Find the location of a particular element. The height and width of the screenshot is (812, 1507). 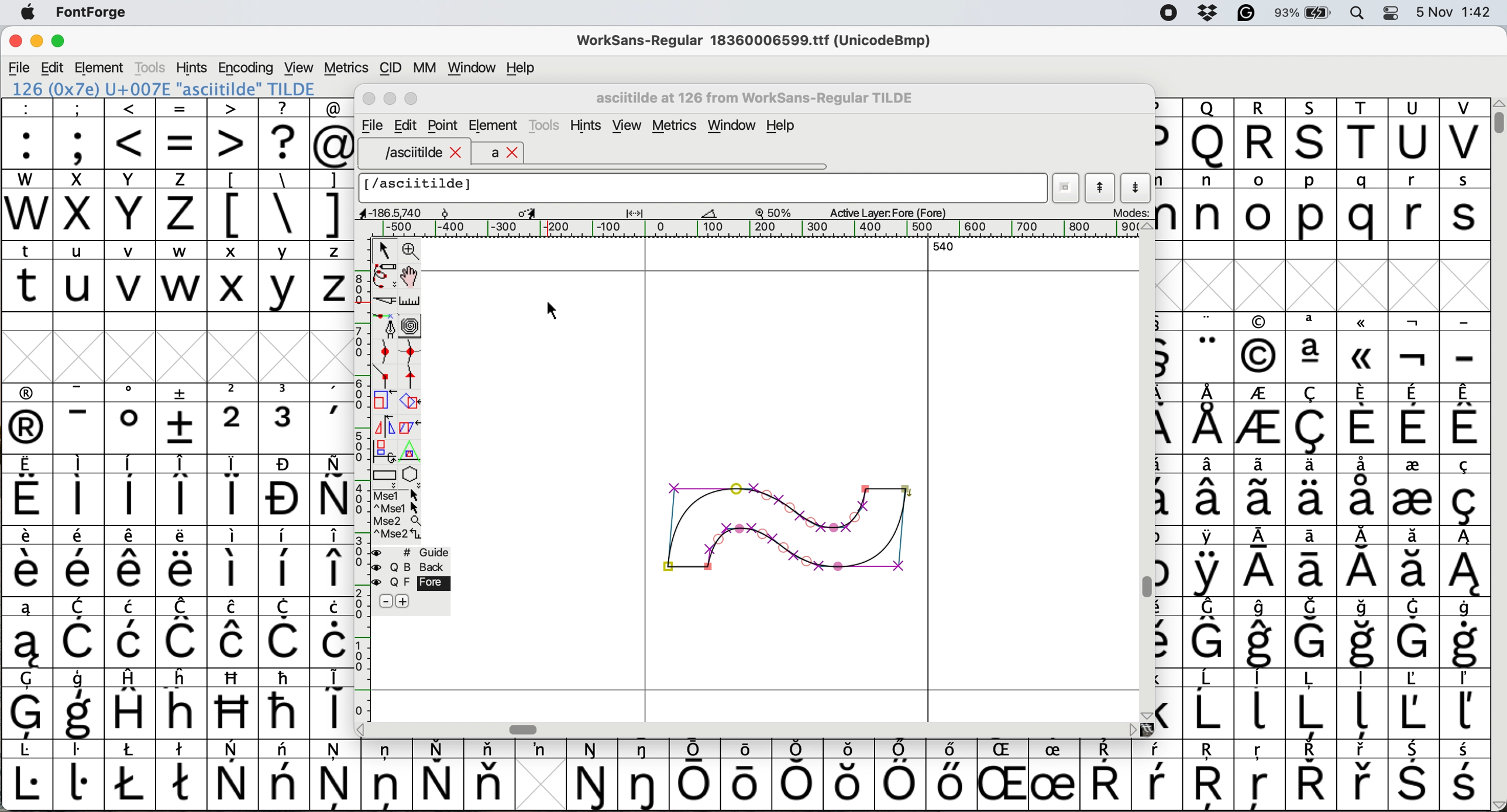

symbol is located at coordinates (1414, 776).